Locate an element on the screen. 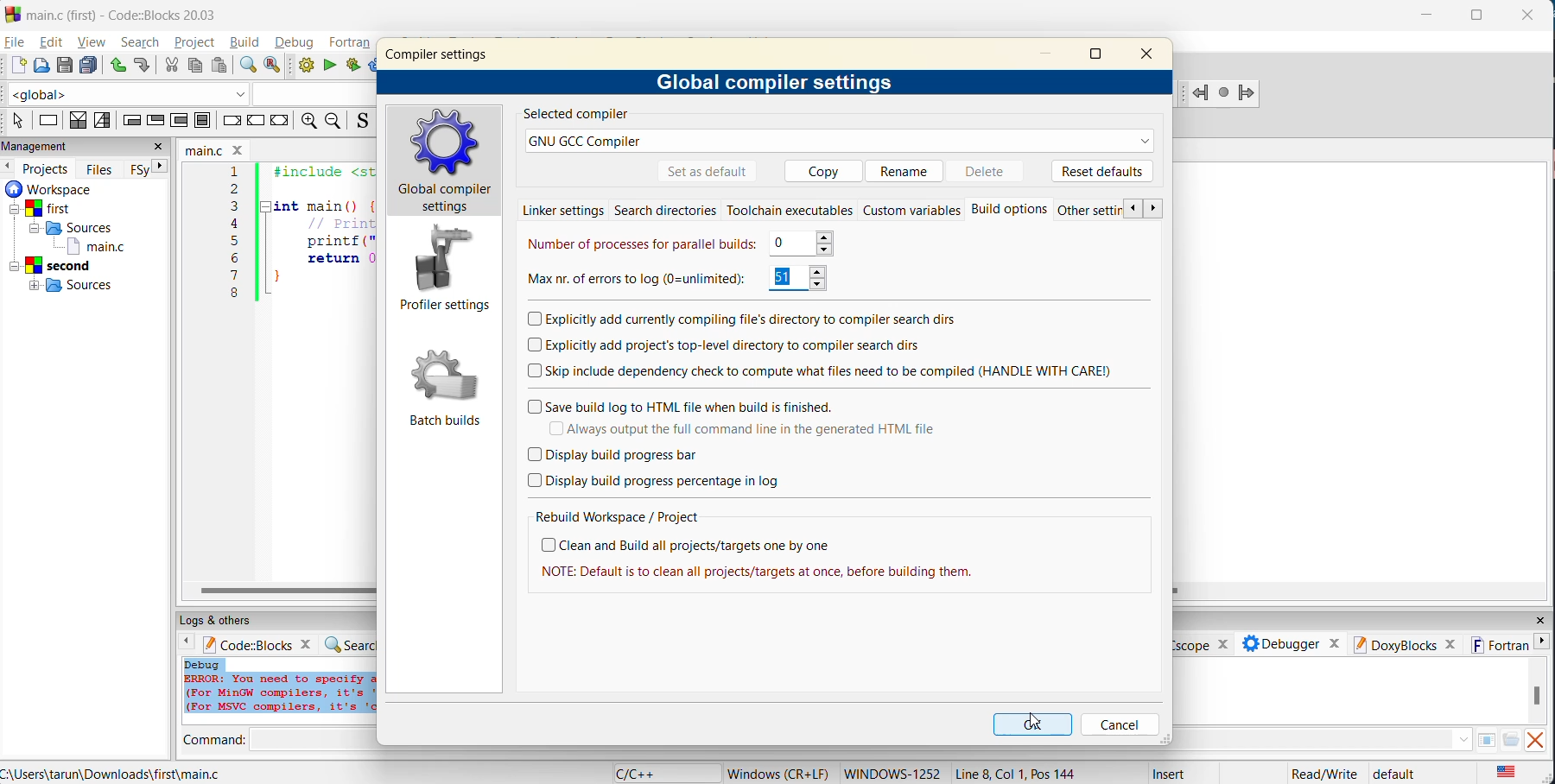  entry condition loop is located at coordinates (129, 122).